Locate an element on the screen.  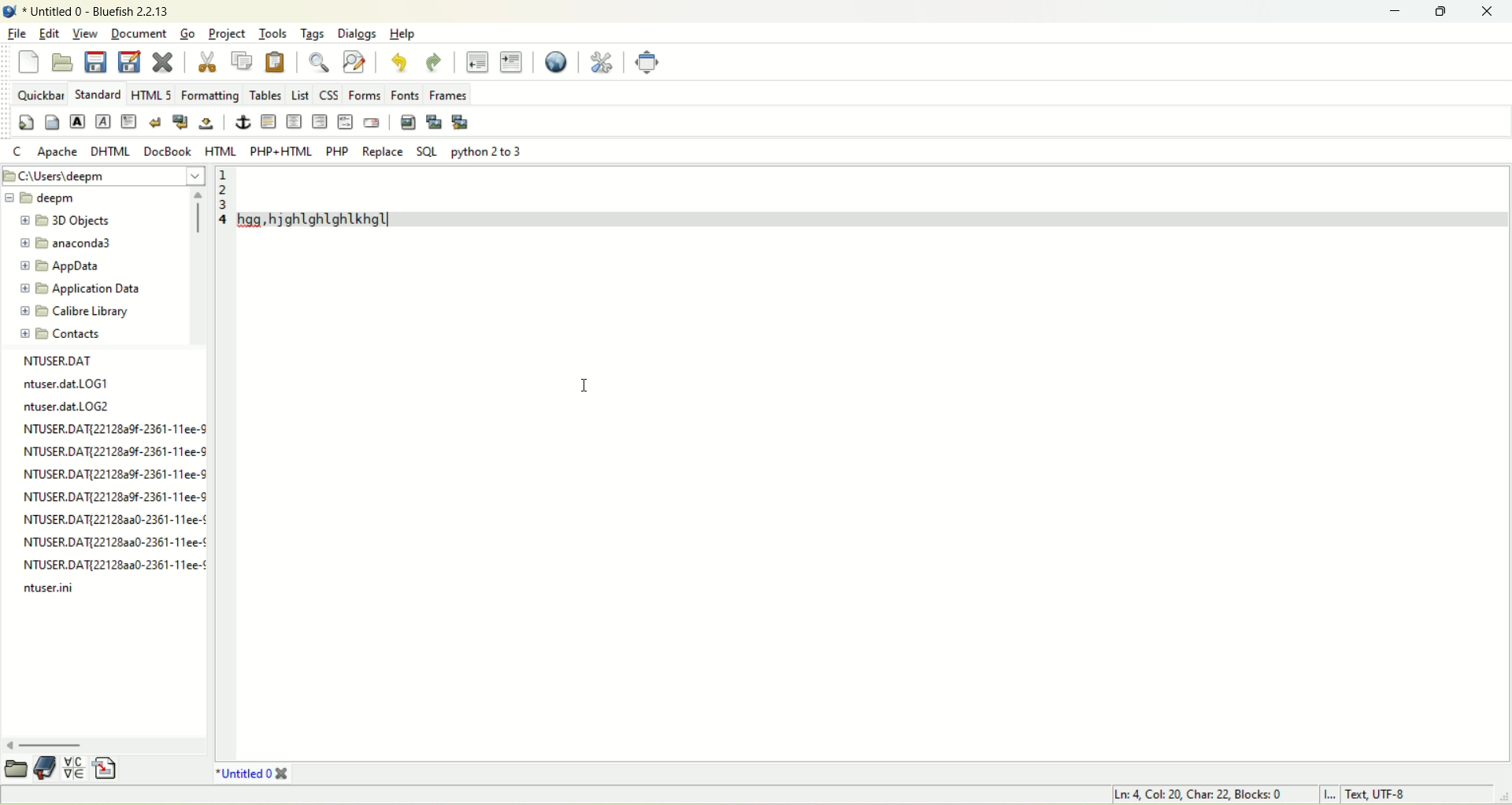
view in browser is located at coordinates (557, 62).